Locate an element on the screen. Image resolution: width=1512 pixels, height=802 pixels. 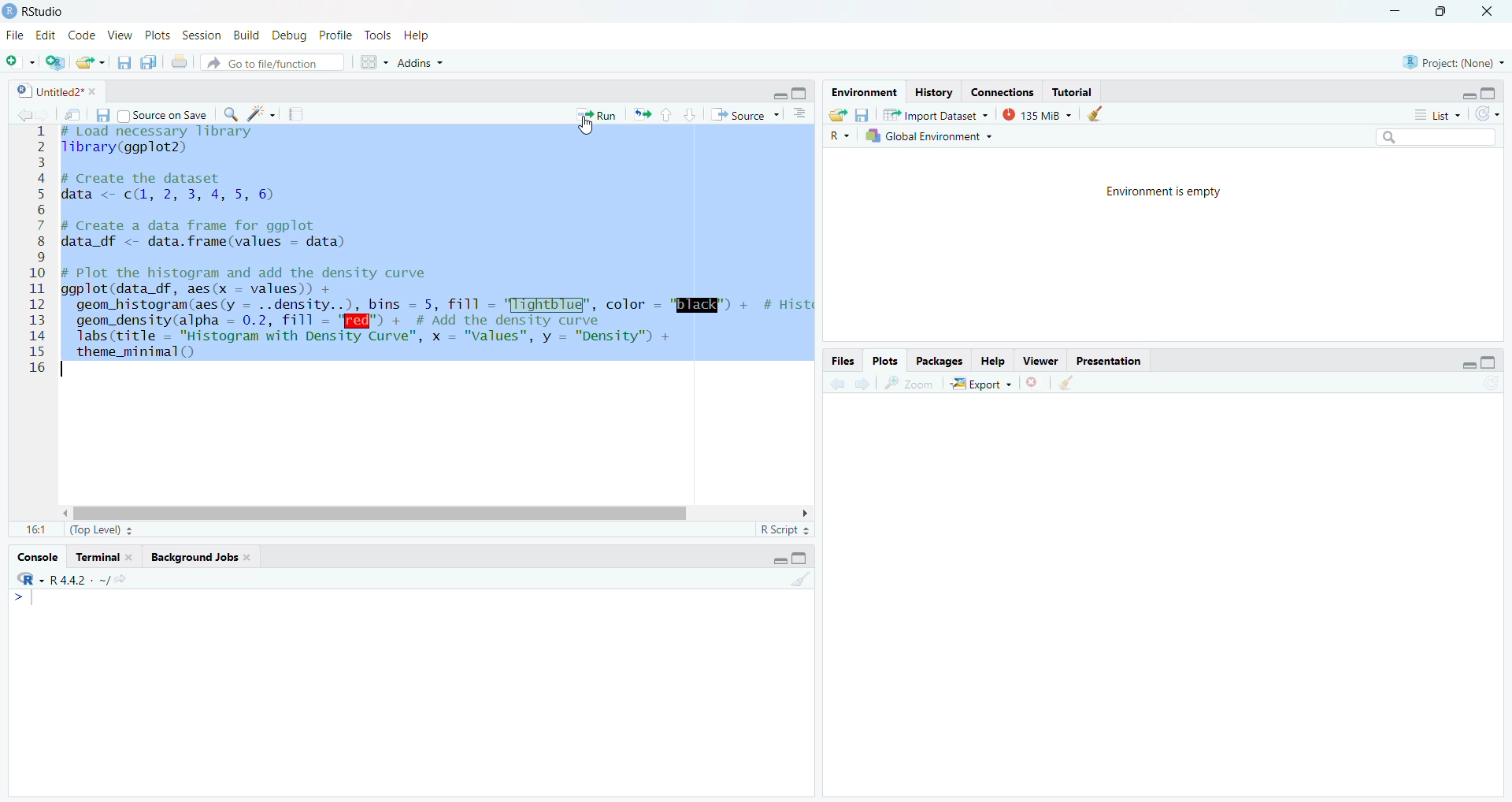
compile report is located at coordinates (298, 113).